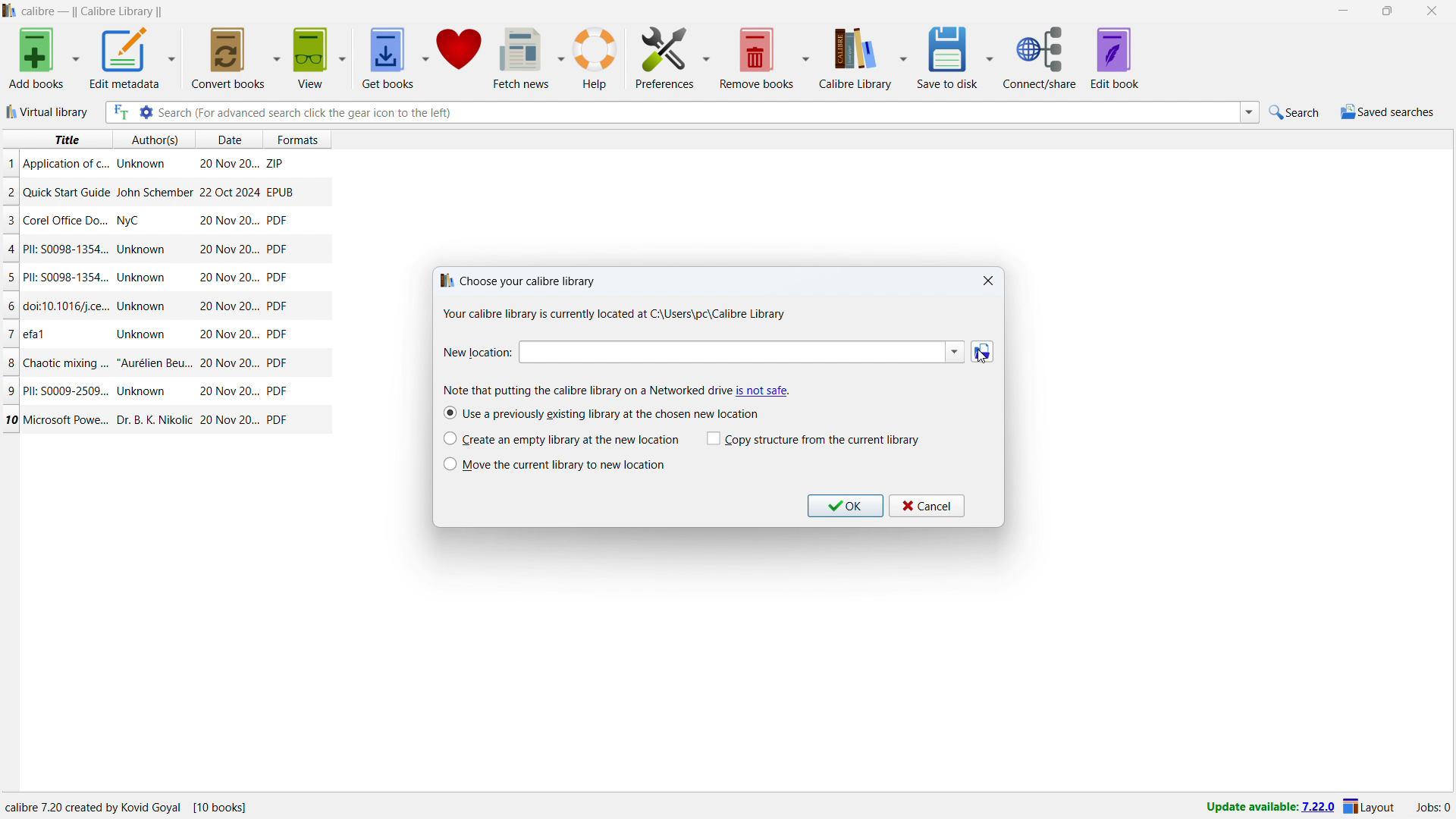  What do you see at coordinates (950, 57) in the screenshot?
I see `save to disk` at bounding box center [950, 57].